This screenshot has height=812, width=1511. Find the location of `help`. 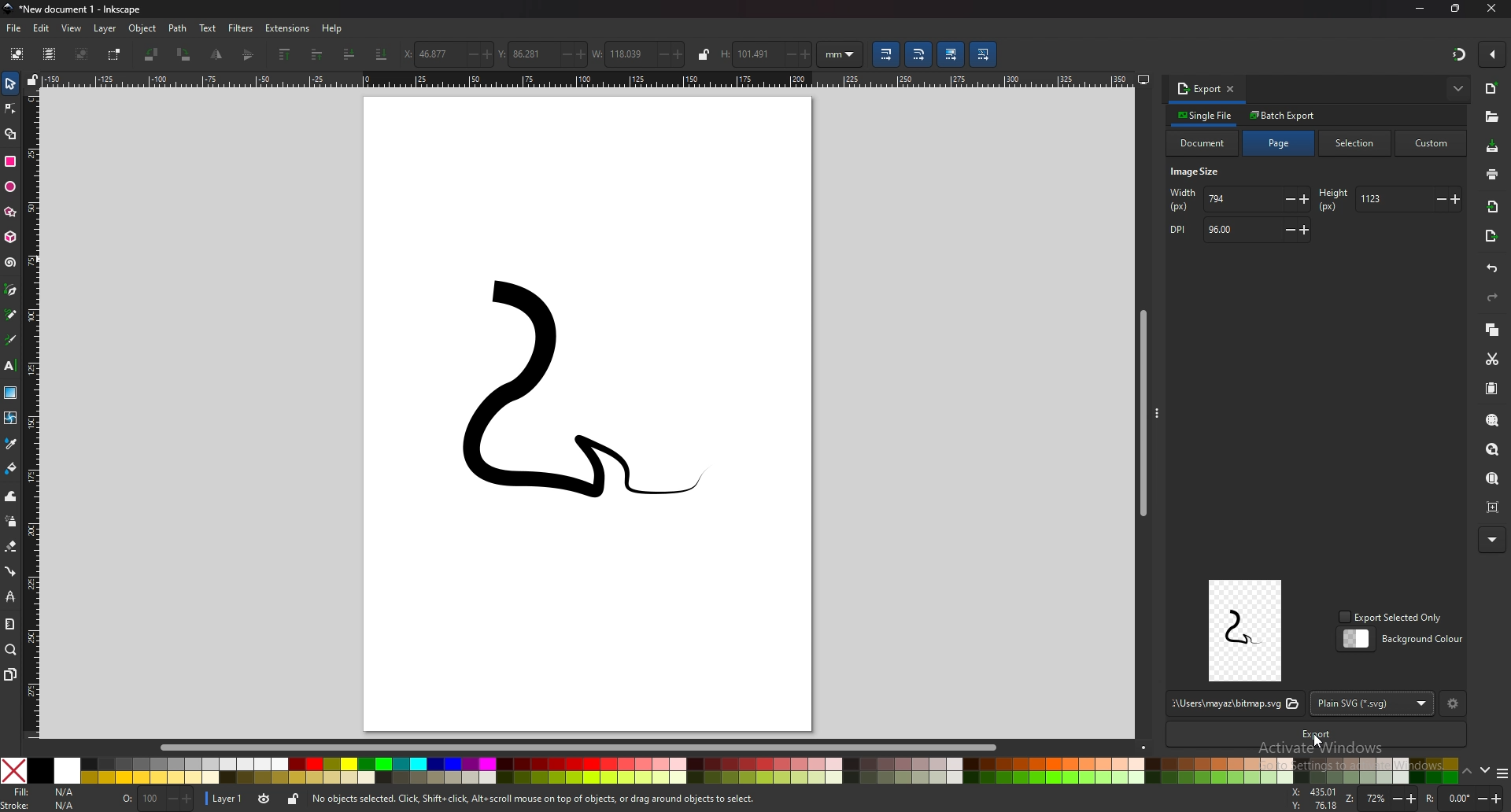

help is located at coordinates (333, 29).